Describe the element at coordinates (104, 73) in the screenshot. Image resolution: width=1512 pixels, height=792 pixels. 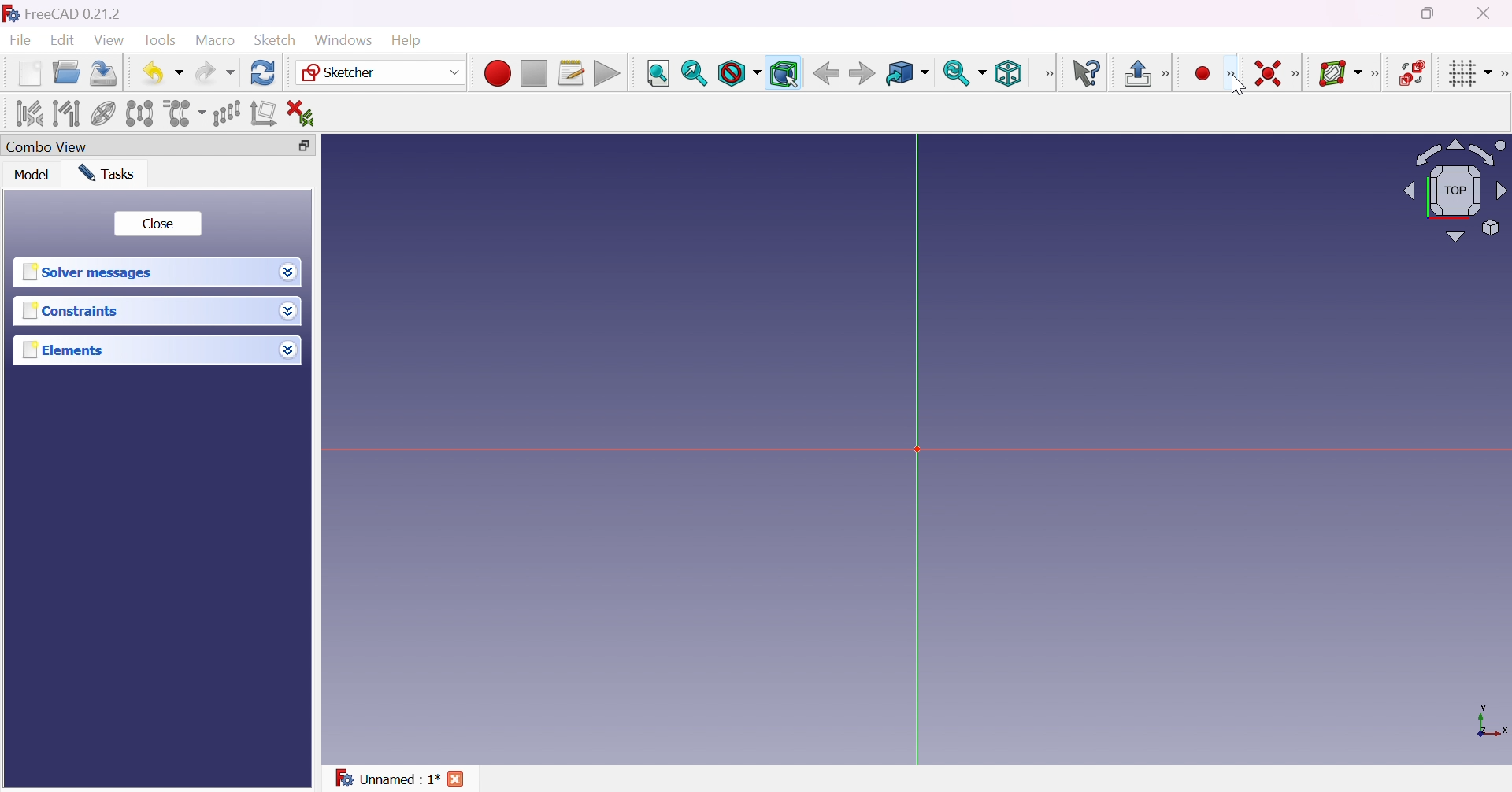
I see `Save` at that location.